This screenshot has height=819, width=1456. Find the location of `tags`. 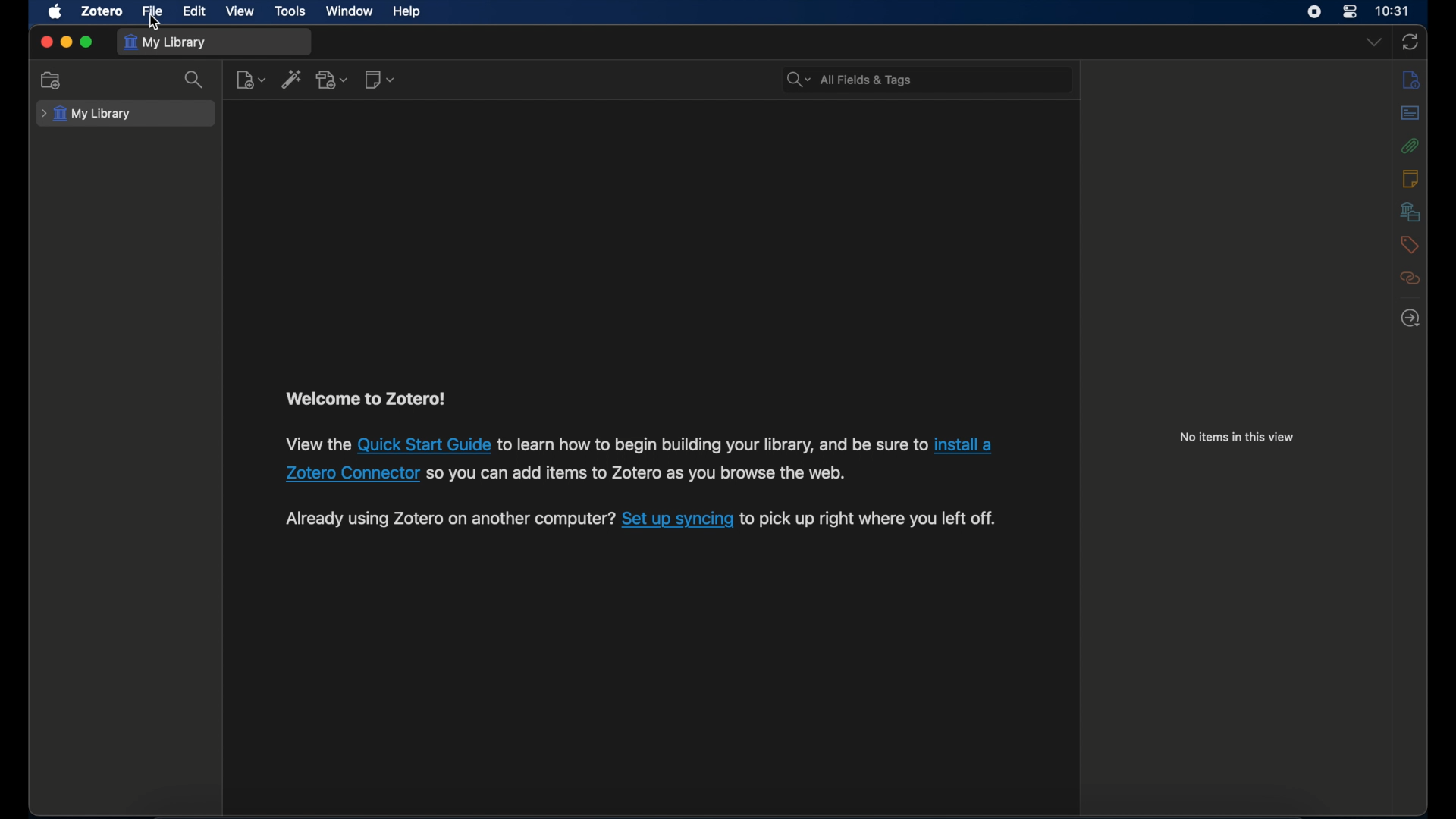

tags is located at coordinates (1409, 245).